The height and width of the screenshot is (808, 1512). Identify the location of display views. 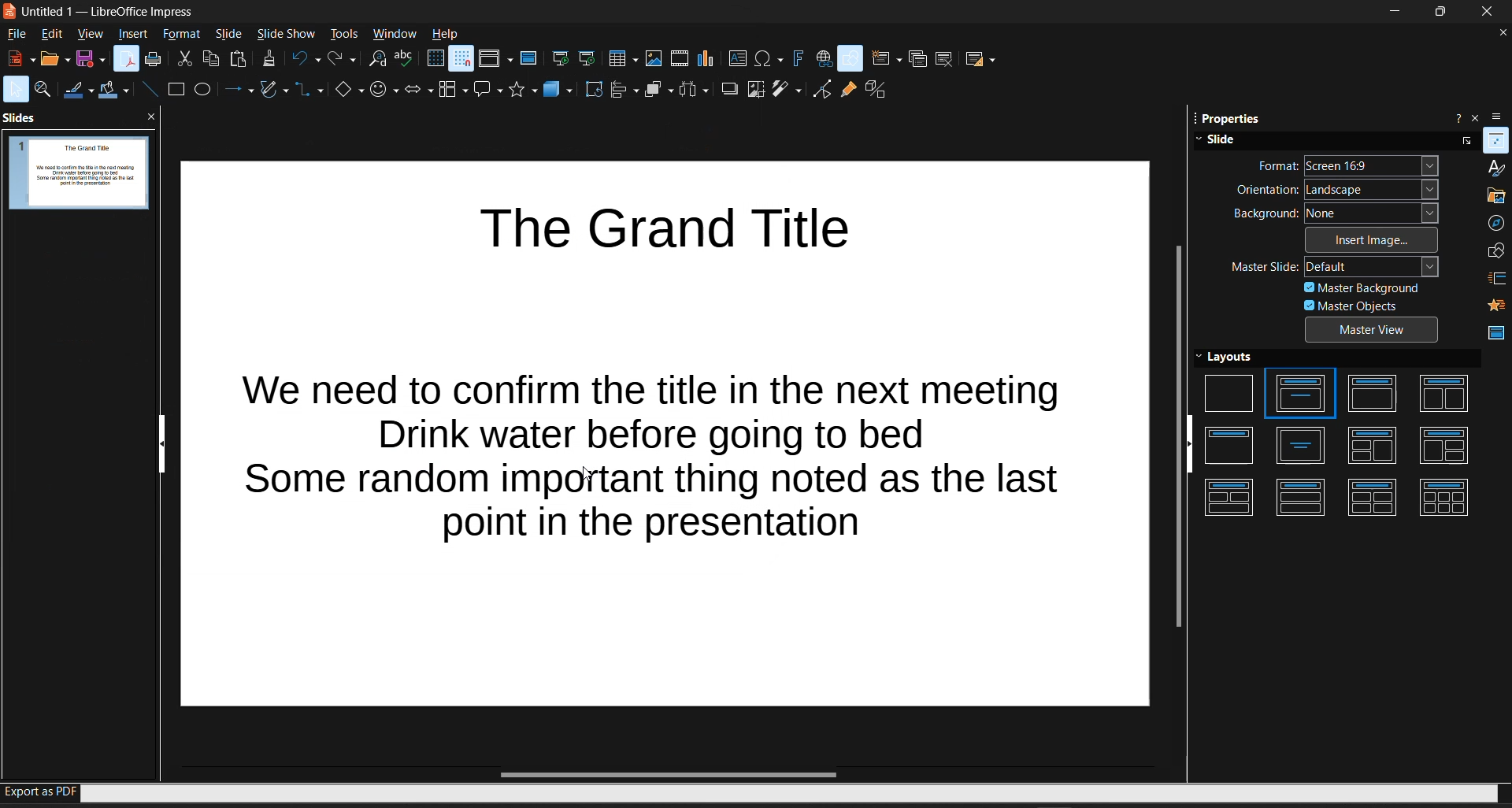
(497, 57).